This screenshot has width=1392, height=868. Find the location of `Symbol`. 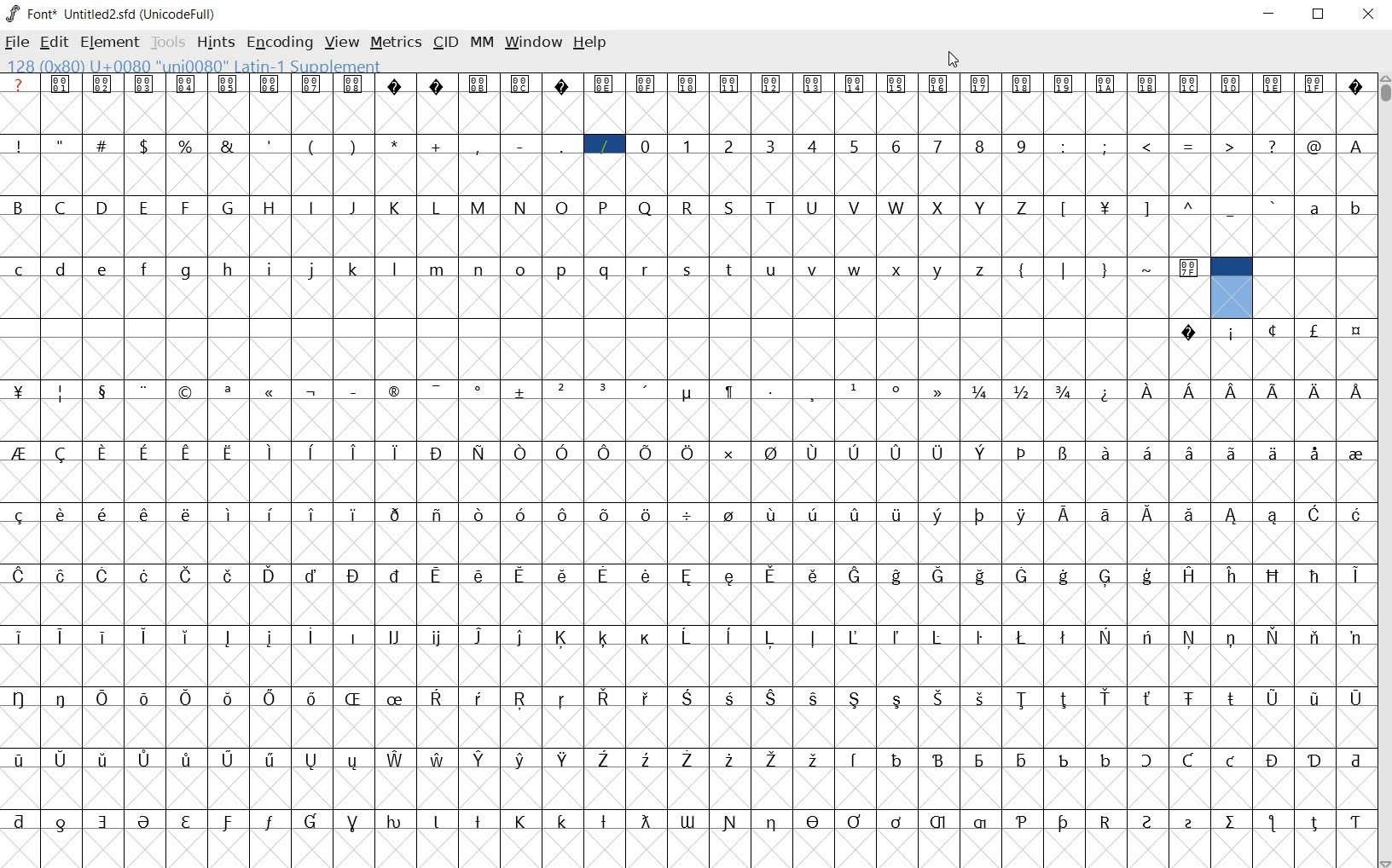

Symbol is located at coordinates (1065, 635).